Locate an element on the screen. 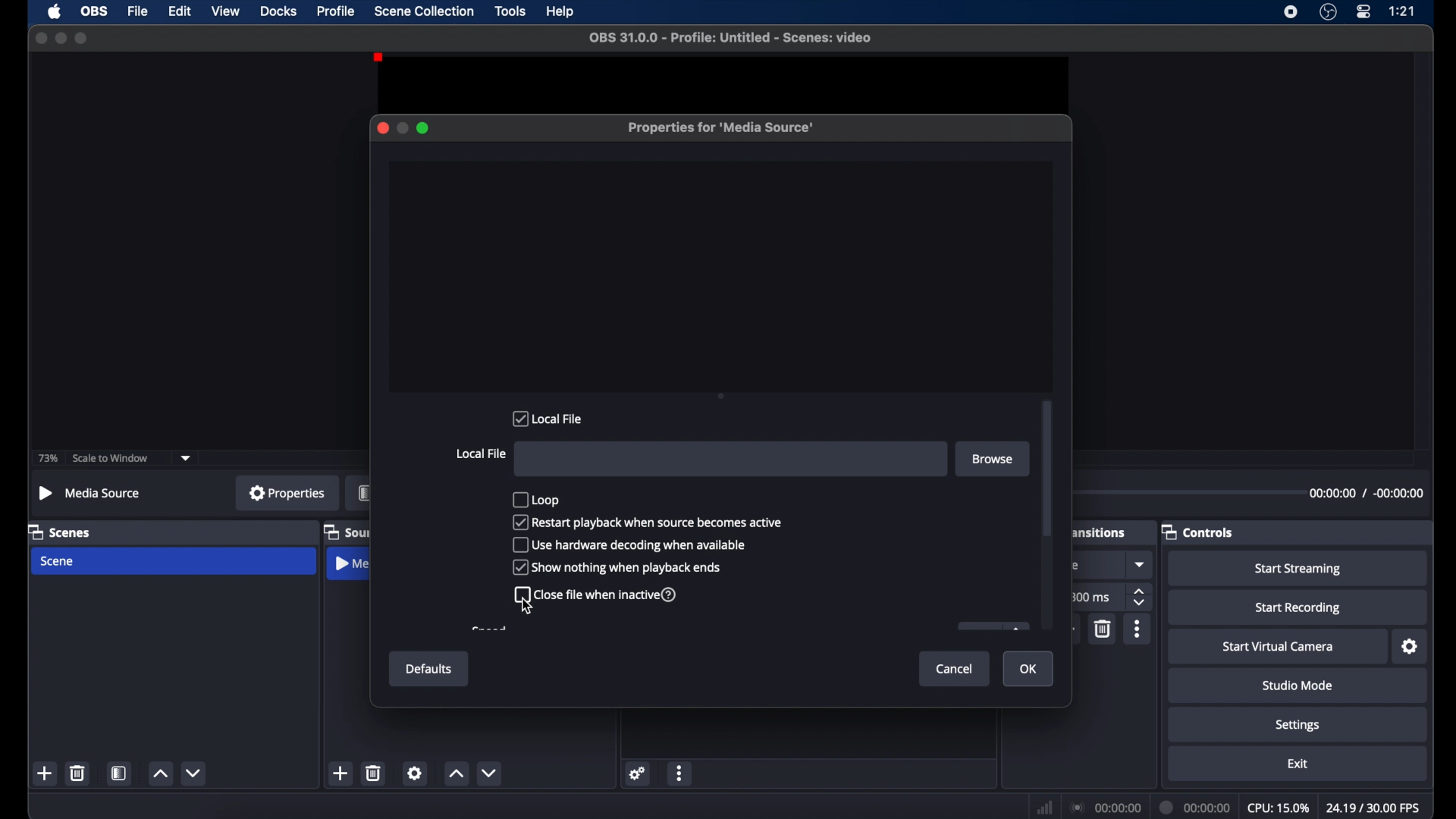  add is located at coordinates (340, 773).